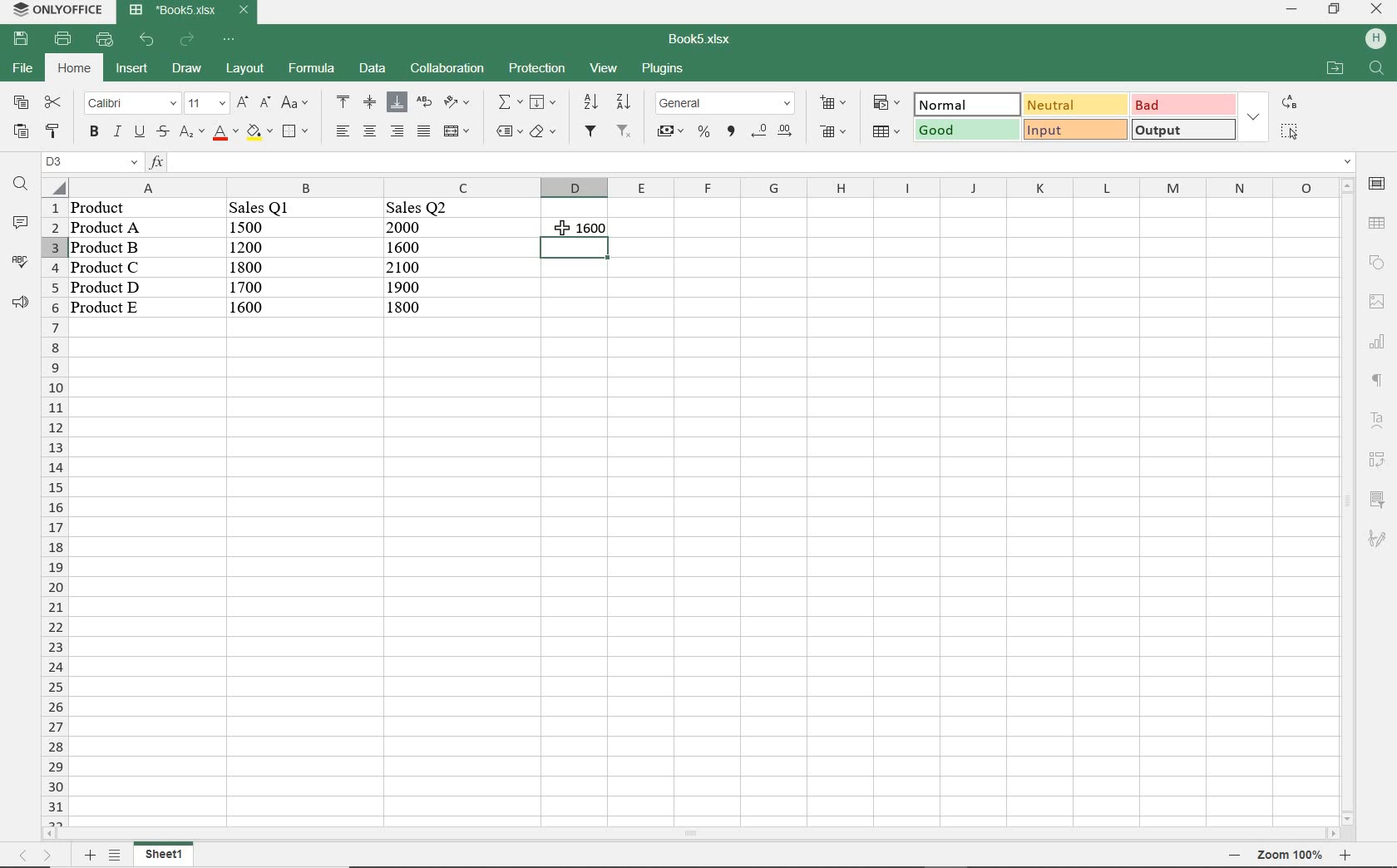  I want to click on wrap text, so click(422, 102).